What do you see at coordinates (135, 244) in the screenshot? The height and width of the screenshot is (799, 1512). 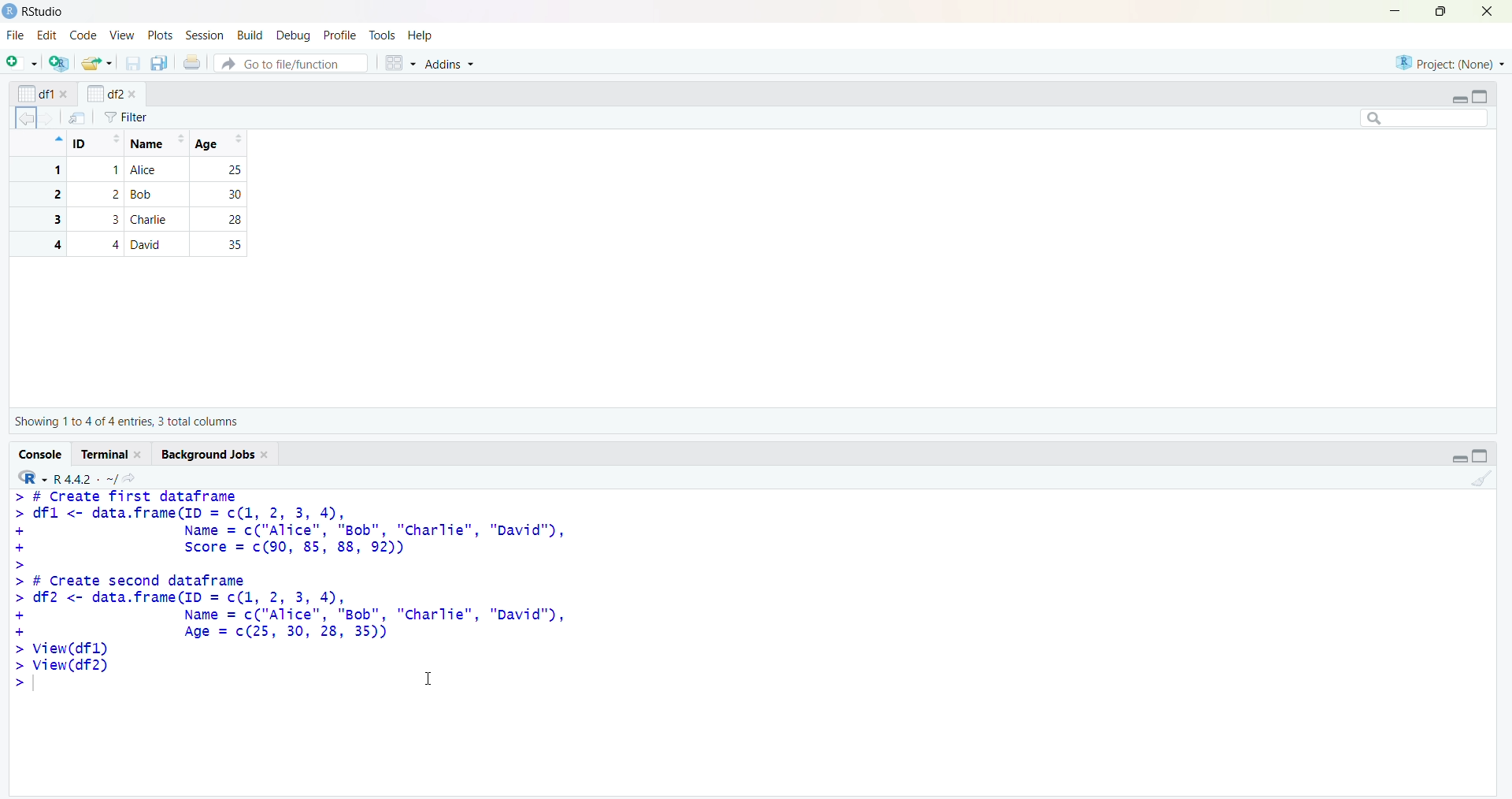 I see `4 4 David 35` at bounding box center [135, 244].